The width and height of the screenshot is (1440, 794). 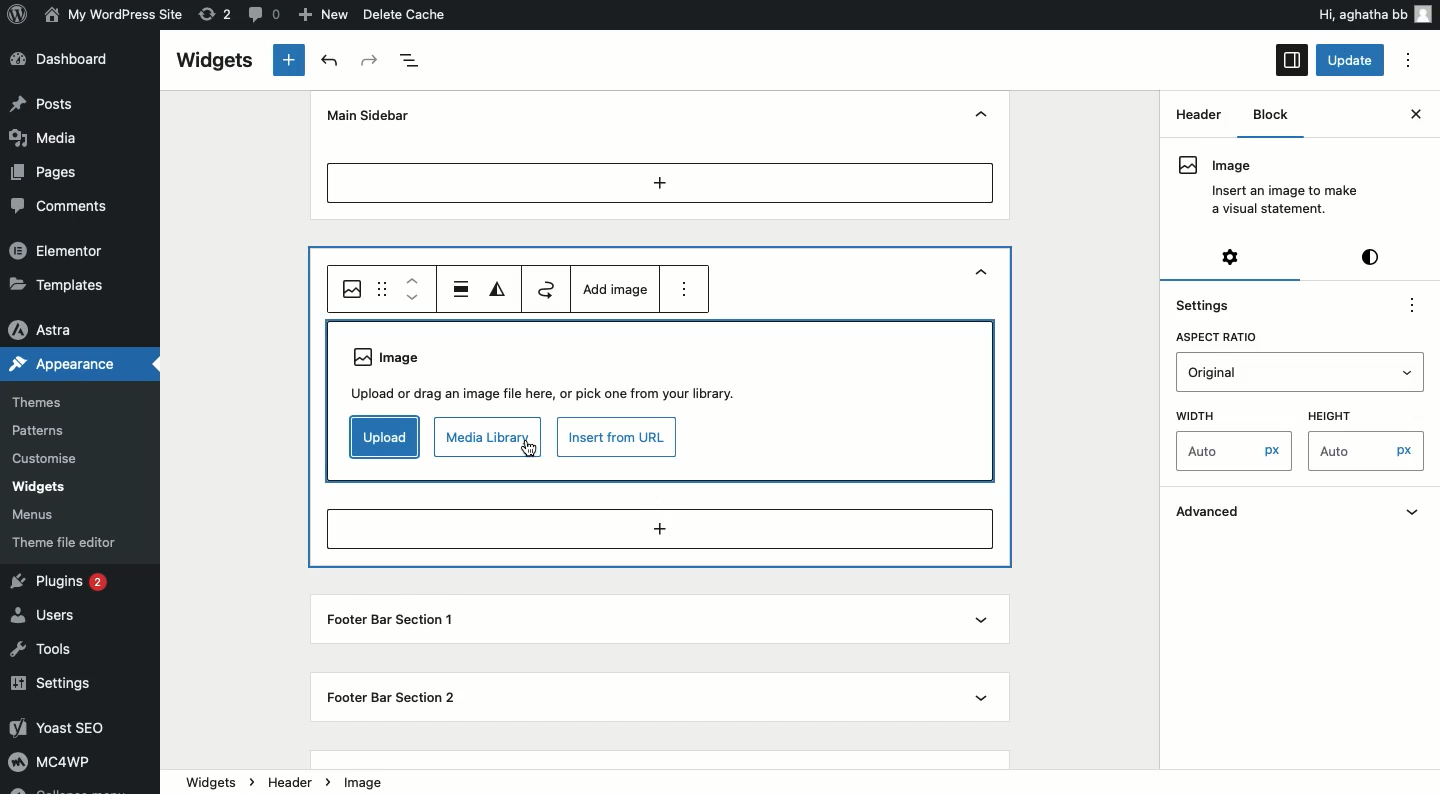 I want to click on Revision, so click(x=216, y=13).